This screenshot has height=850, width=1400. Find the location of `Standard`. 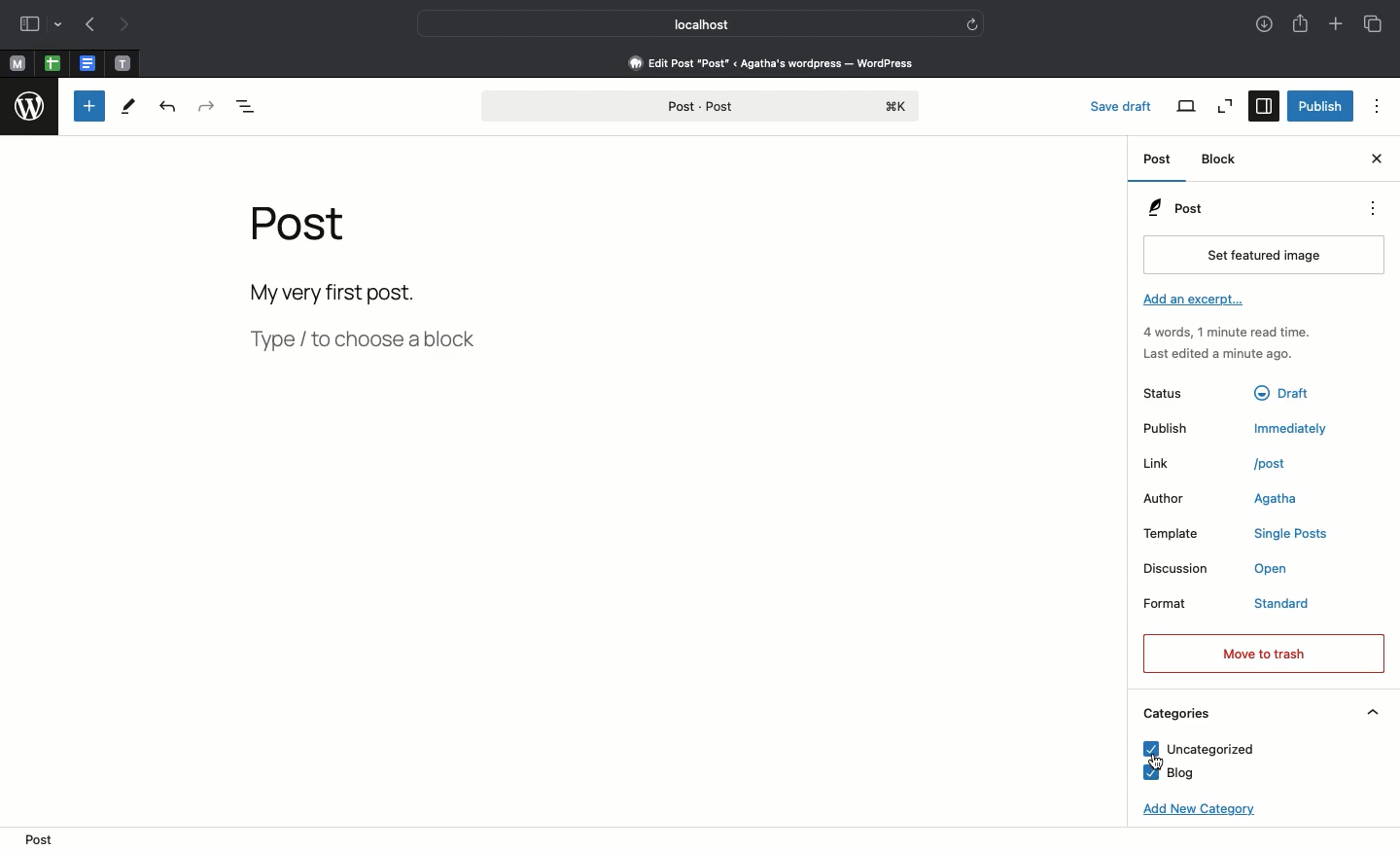

Standard is located at coordinates (1301, 605).